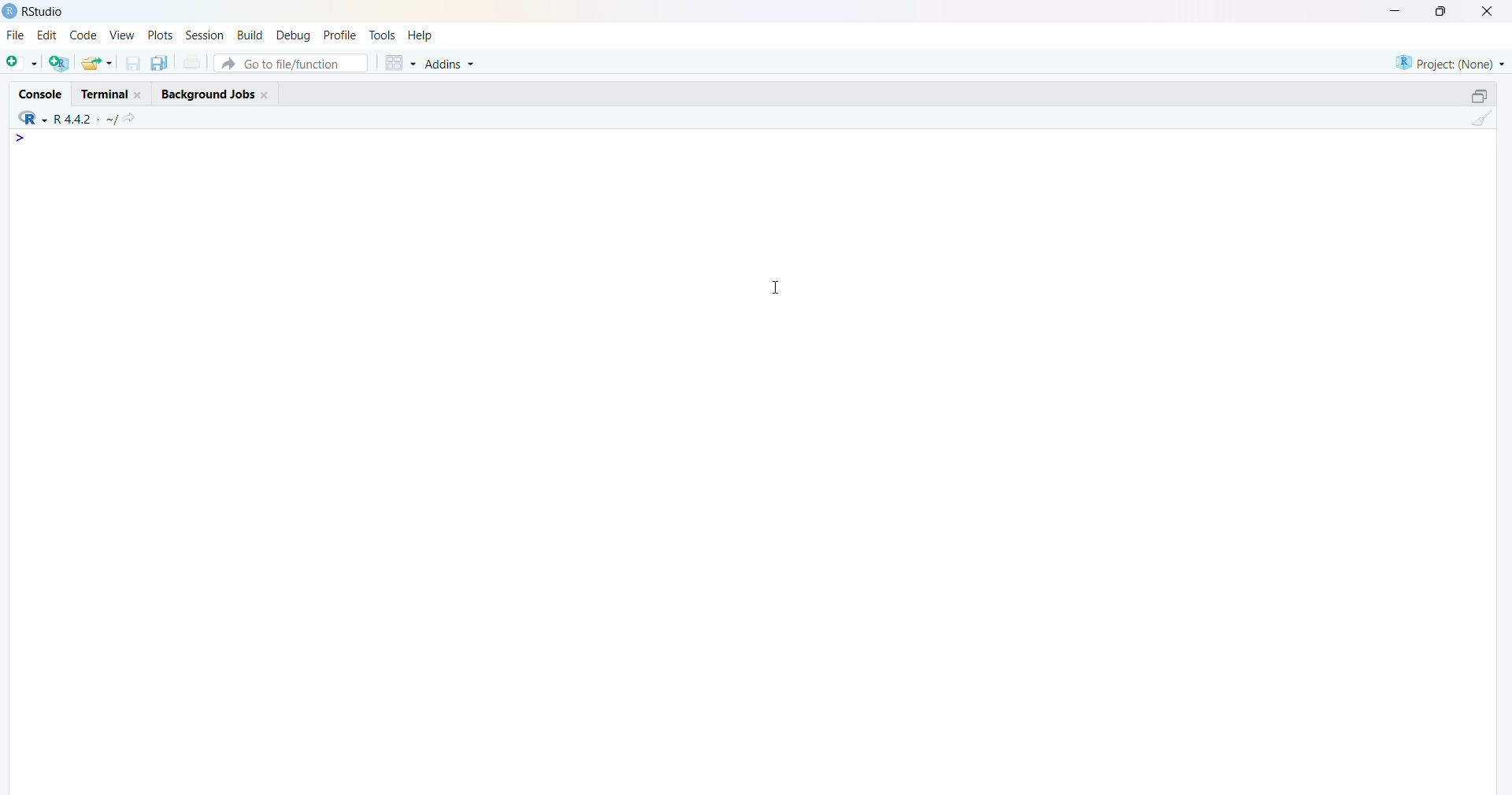 This screenshot has width=1512, height=795. Describe the element at coordinates (1450, 64) in the screenshot. I see `Project: (none)` at that location.